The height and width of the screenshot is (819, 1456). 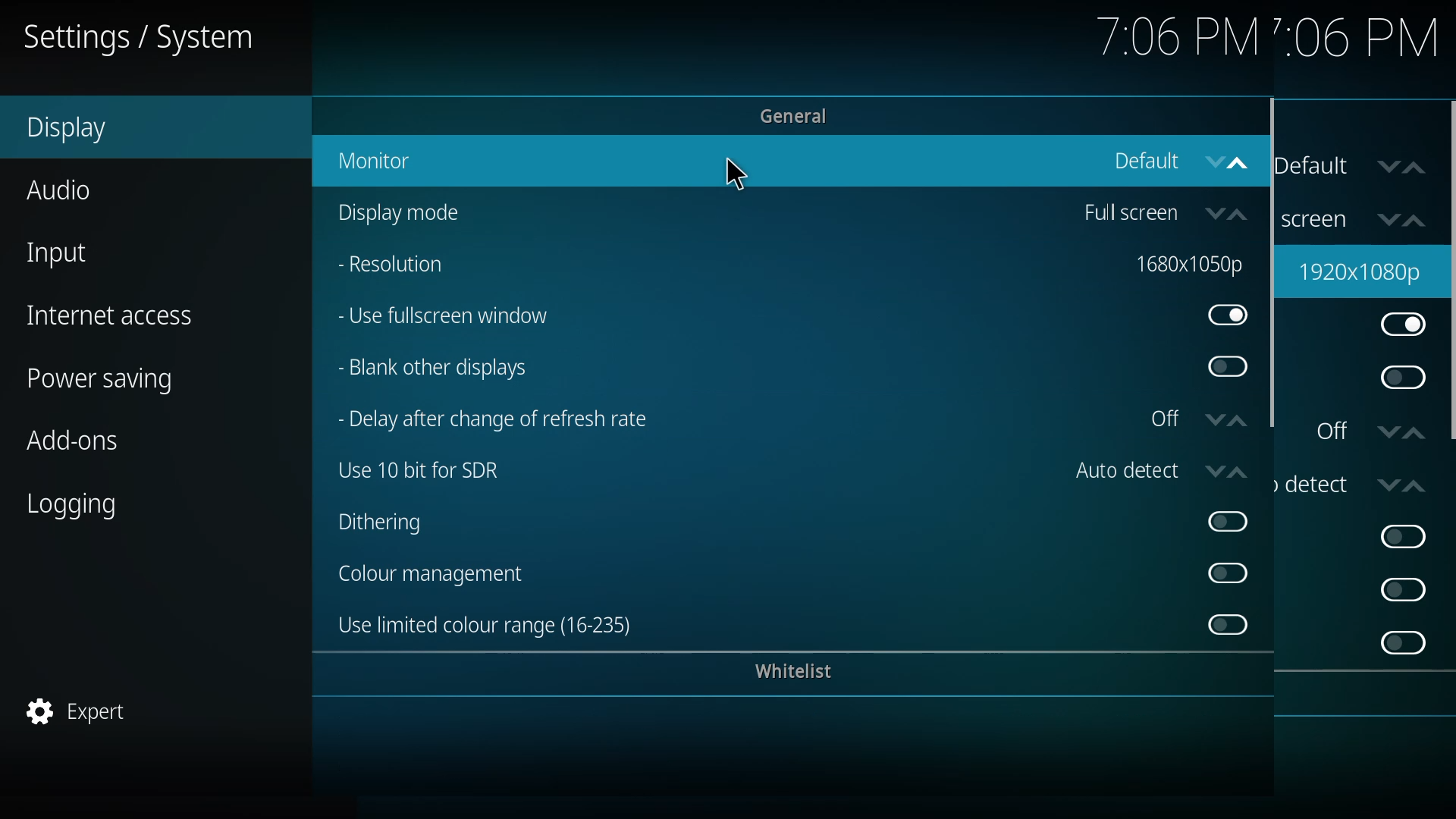 I want to click on off, so click(x=1198, y=428).